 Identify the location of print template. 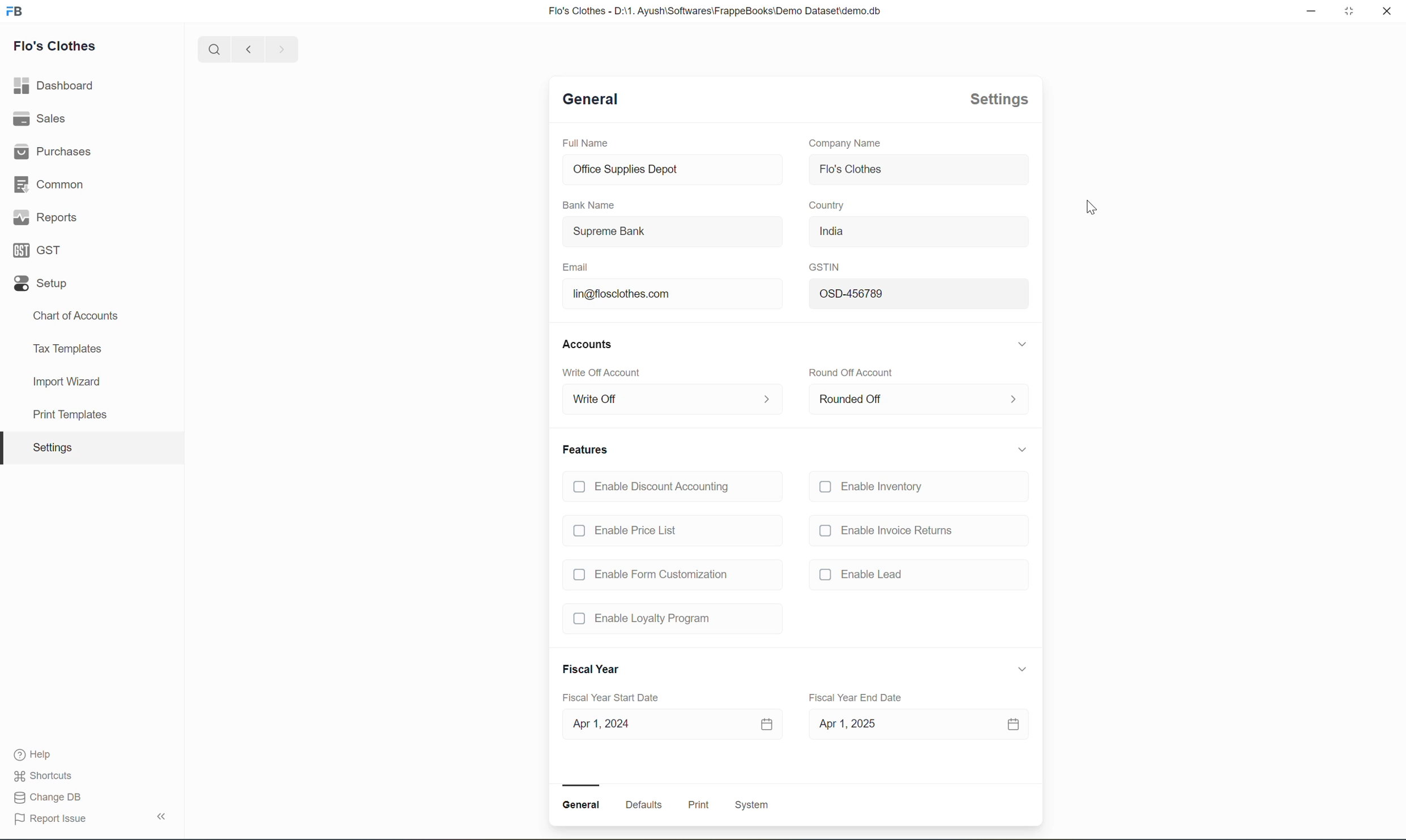
(63, 417).